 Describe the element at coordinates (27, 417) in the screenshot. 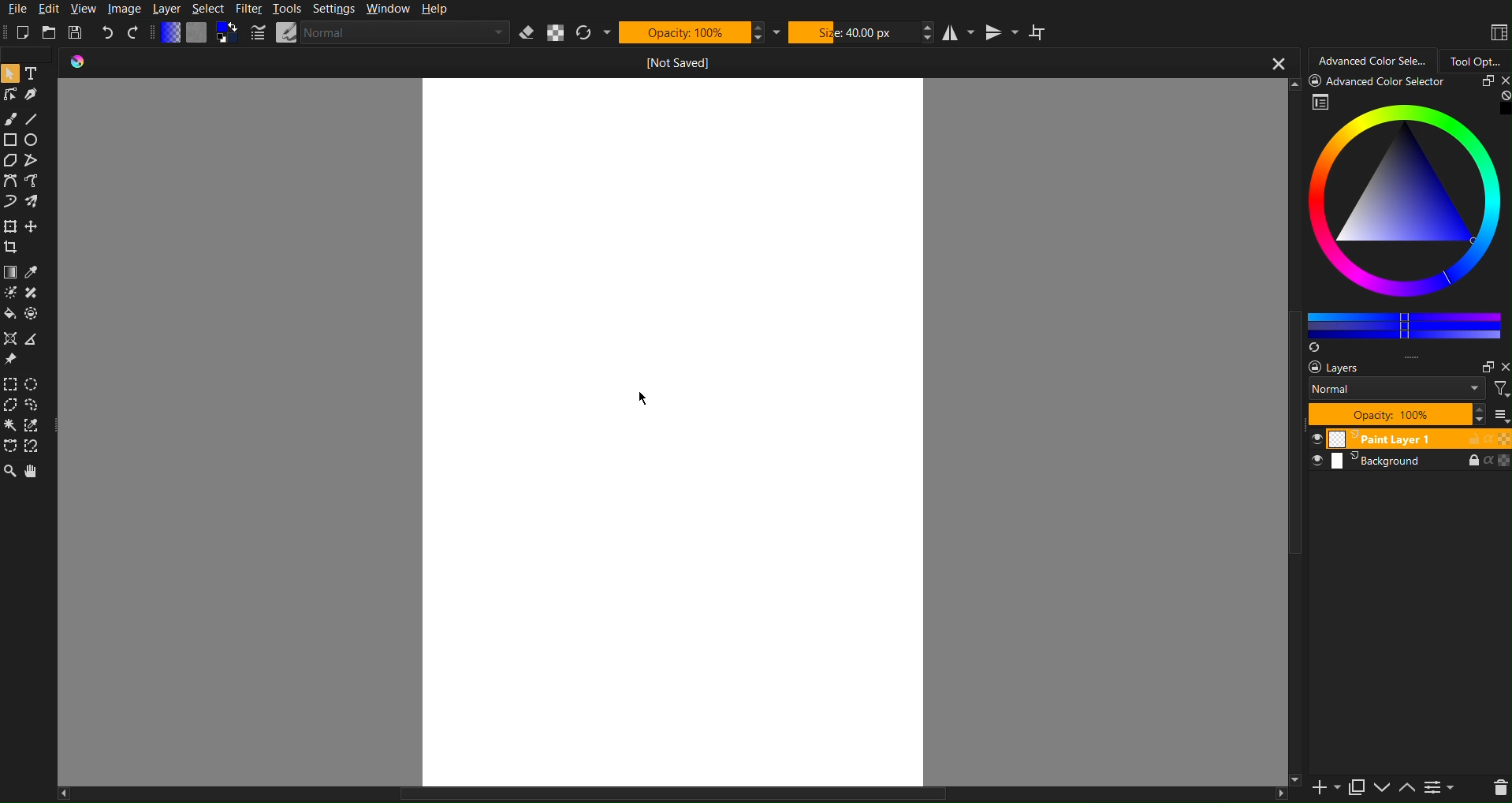

I see `Selection Tools` at that location.